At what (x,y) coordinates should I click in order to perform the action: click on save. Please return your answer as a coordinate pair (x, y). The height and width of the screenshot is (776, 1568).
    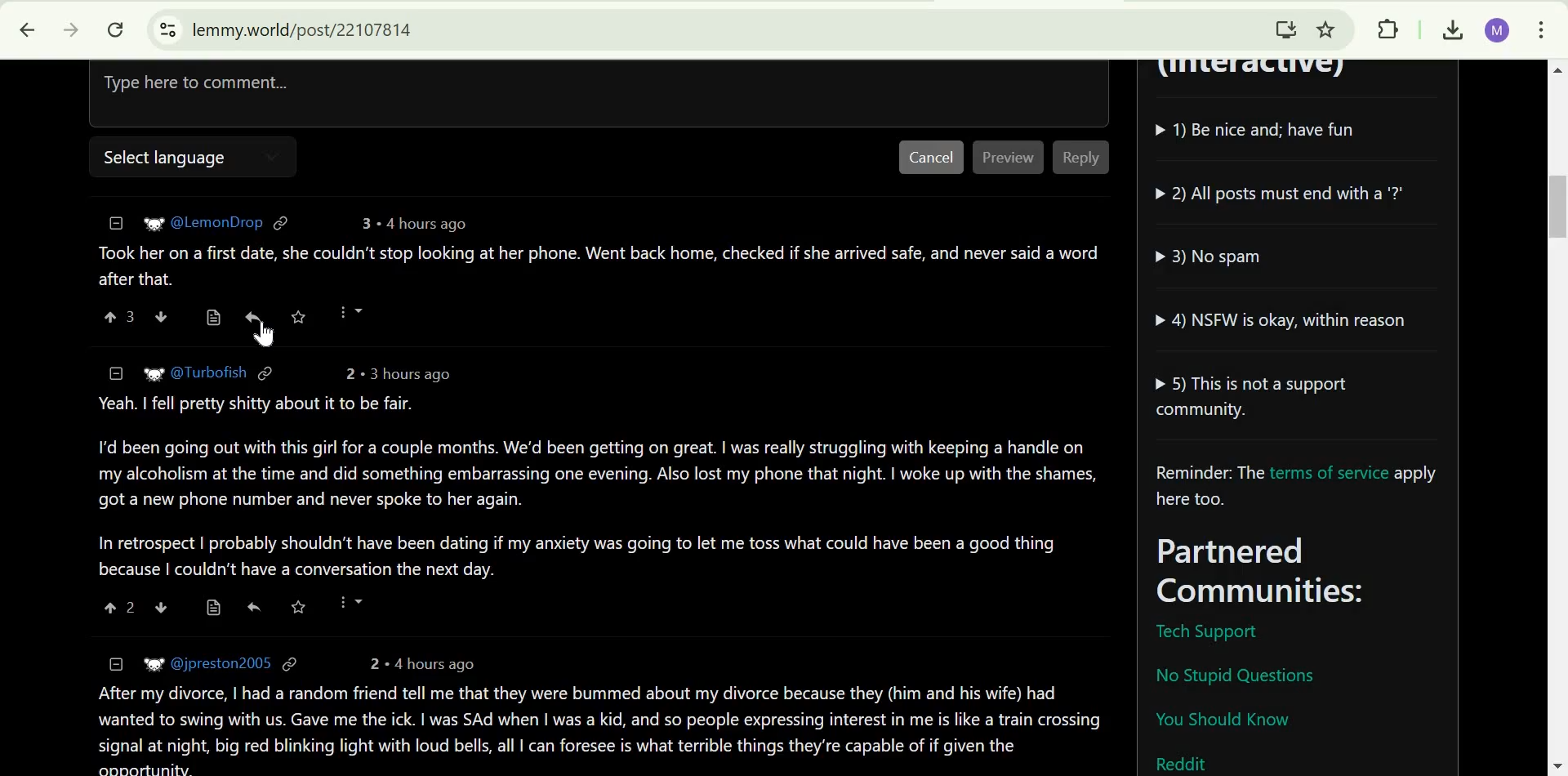
    Looking at the image, I should click on (299, 605).